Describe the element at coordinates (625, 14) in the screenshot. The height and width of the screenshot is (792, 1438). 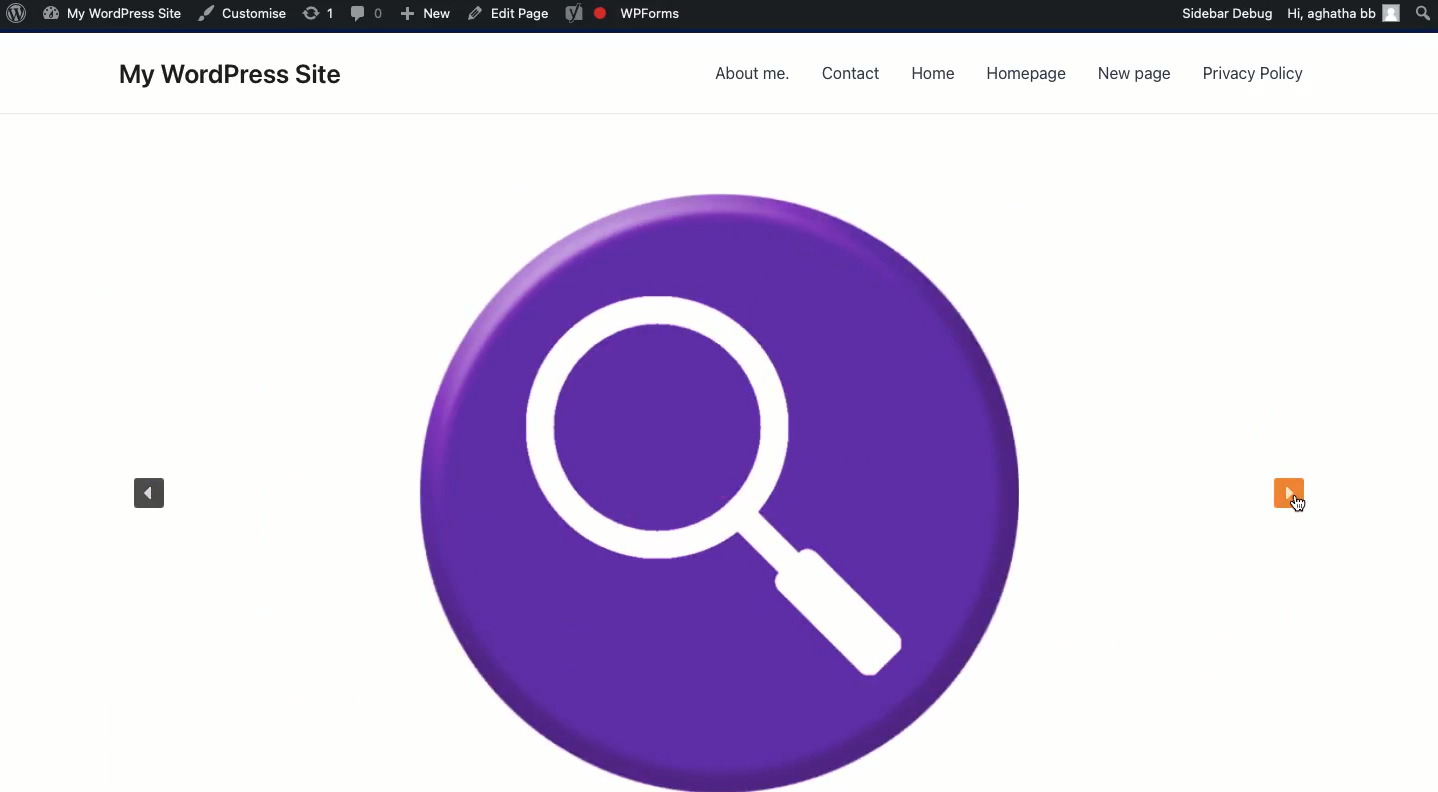
I see `wpforms` at that location.